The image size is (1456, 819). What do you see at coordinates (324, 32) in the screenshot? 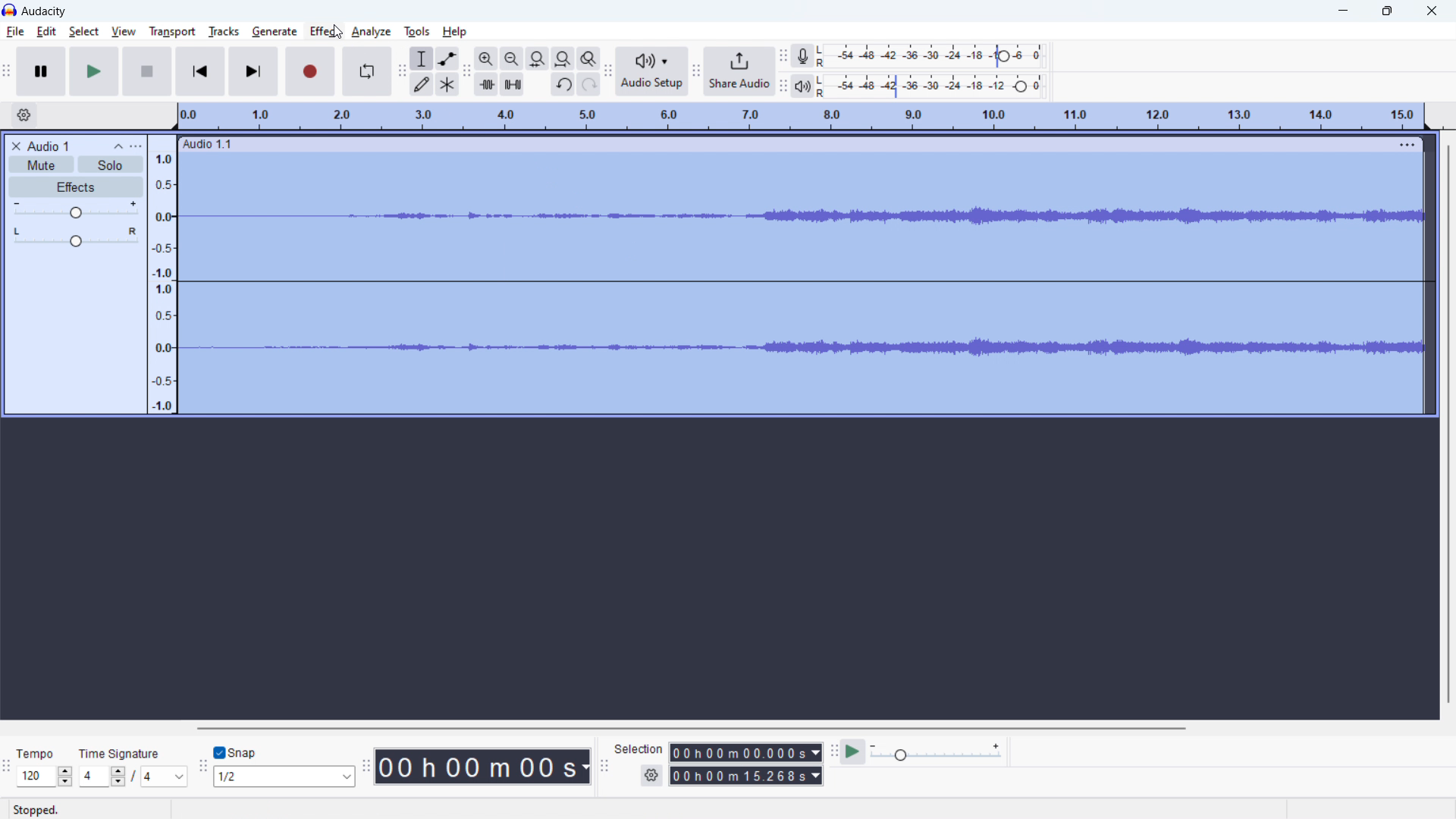
I see `effect` at bounding box center [324, 32].